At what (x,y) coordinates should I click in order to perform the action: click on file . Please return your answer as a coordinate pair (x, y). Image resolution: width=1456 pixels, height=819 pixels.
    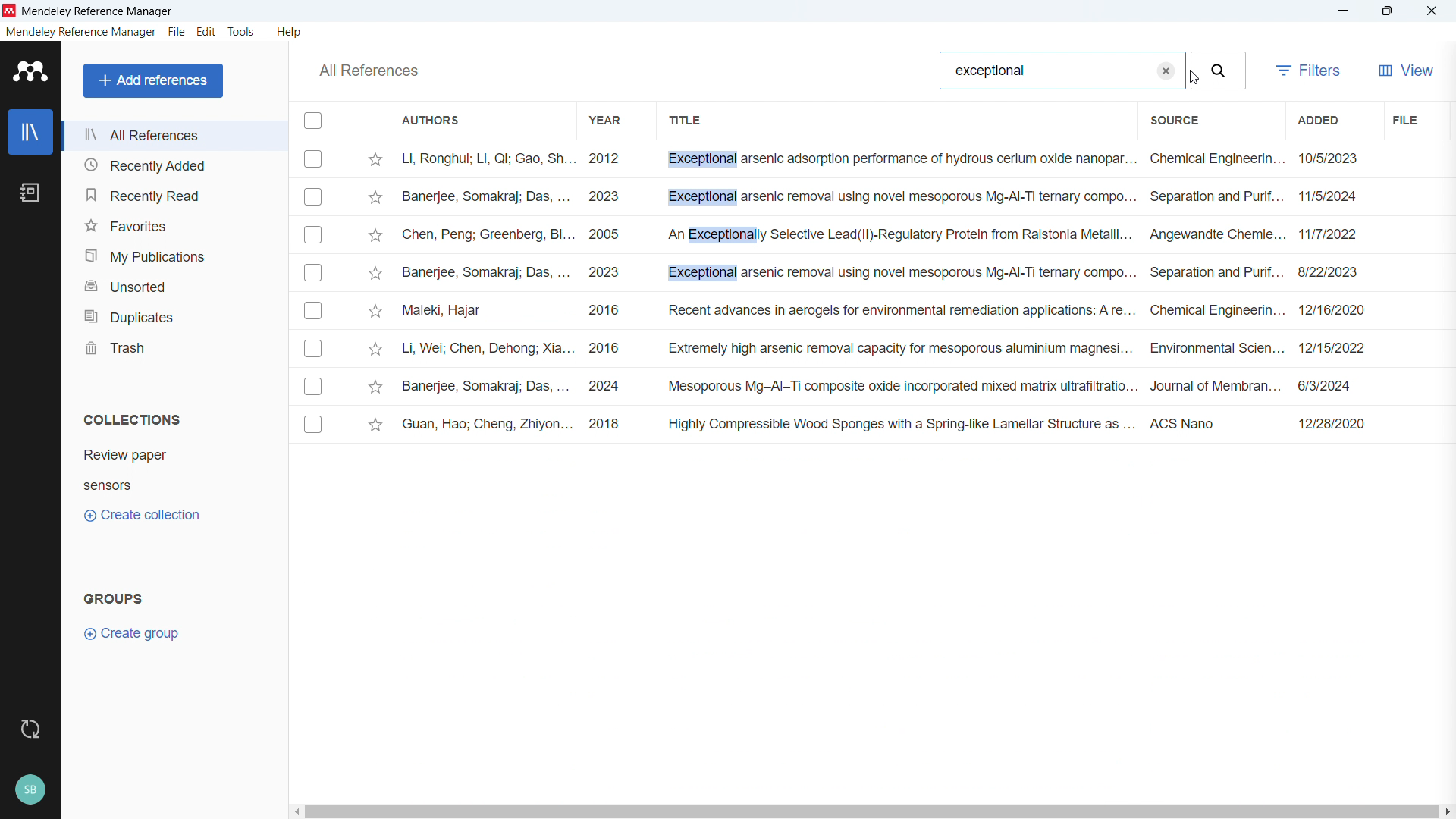
    Looking at the image, I should click on (1404, 119).